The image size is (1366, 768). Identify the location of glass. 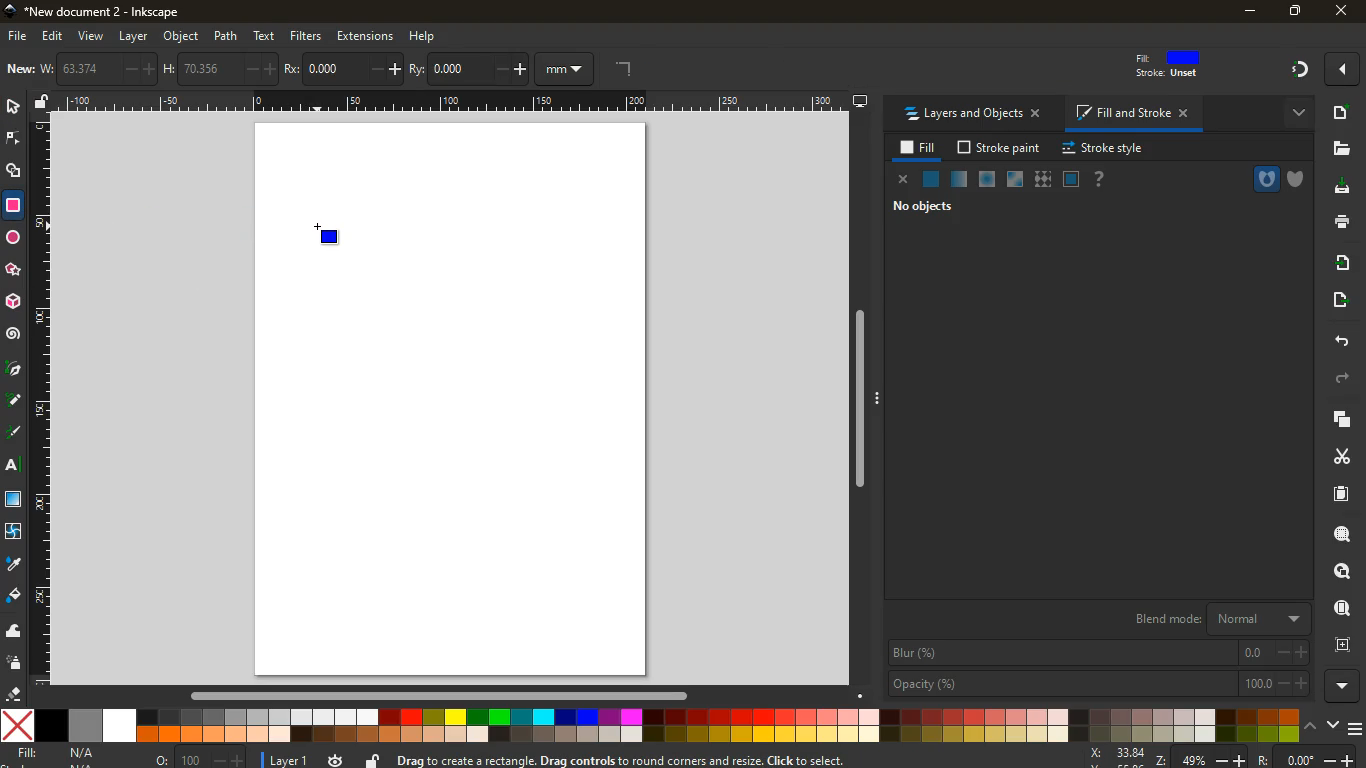
(1070, 179).